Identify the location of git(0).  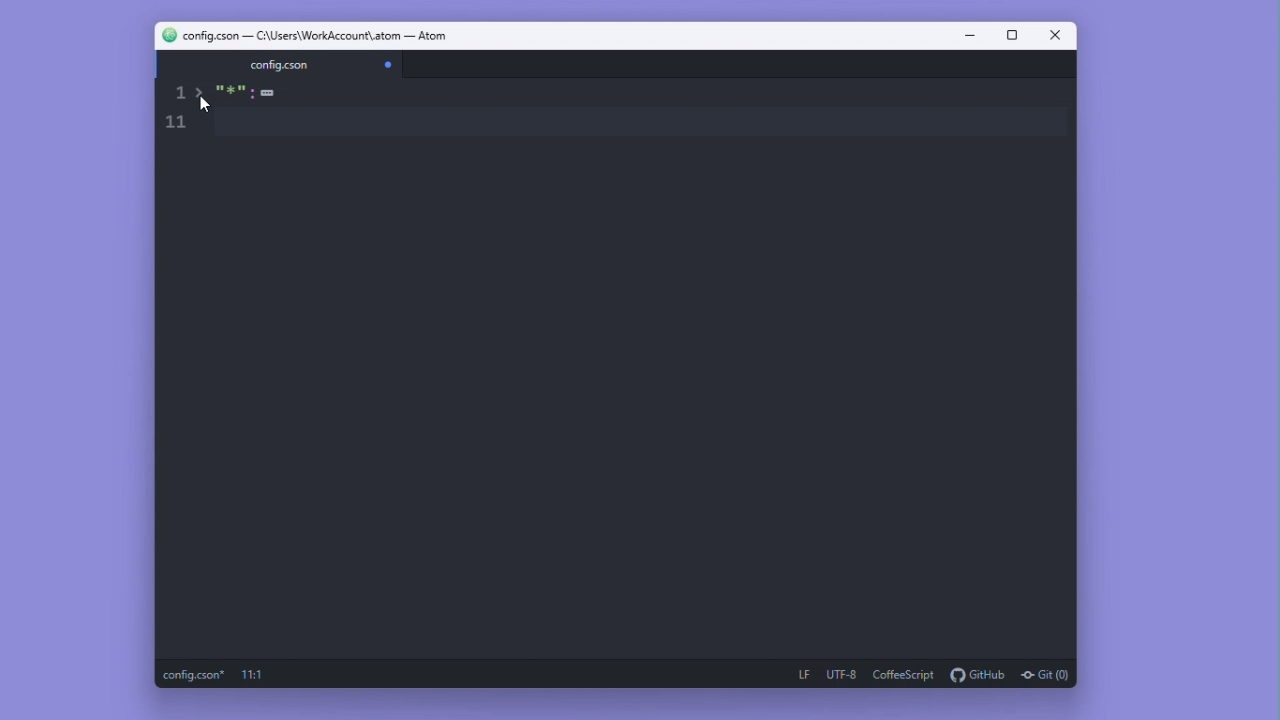
(1050, 675).